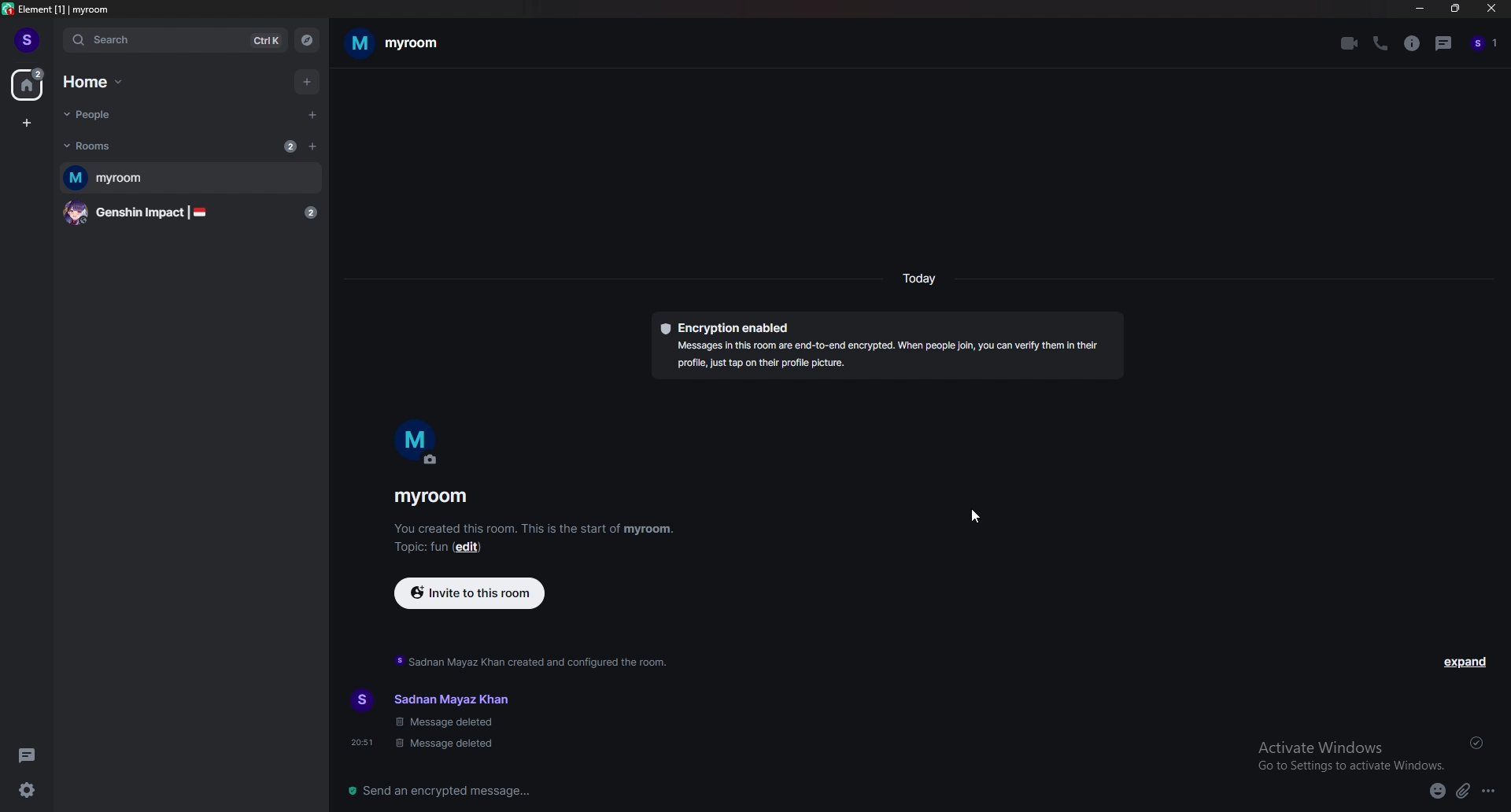  What do you see at coordinates (430, 495) in the screenshot?
I see `myroom` at bounding box center [430, 495].